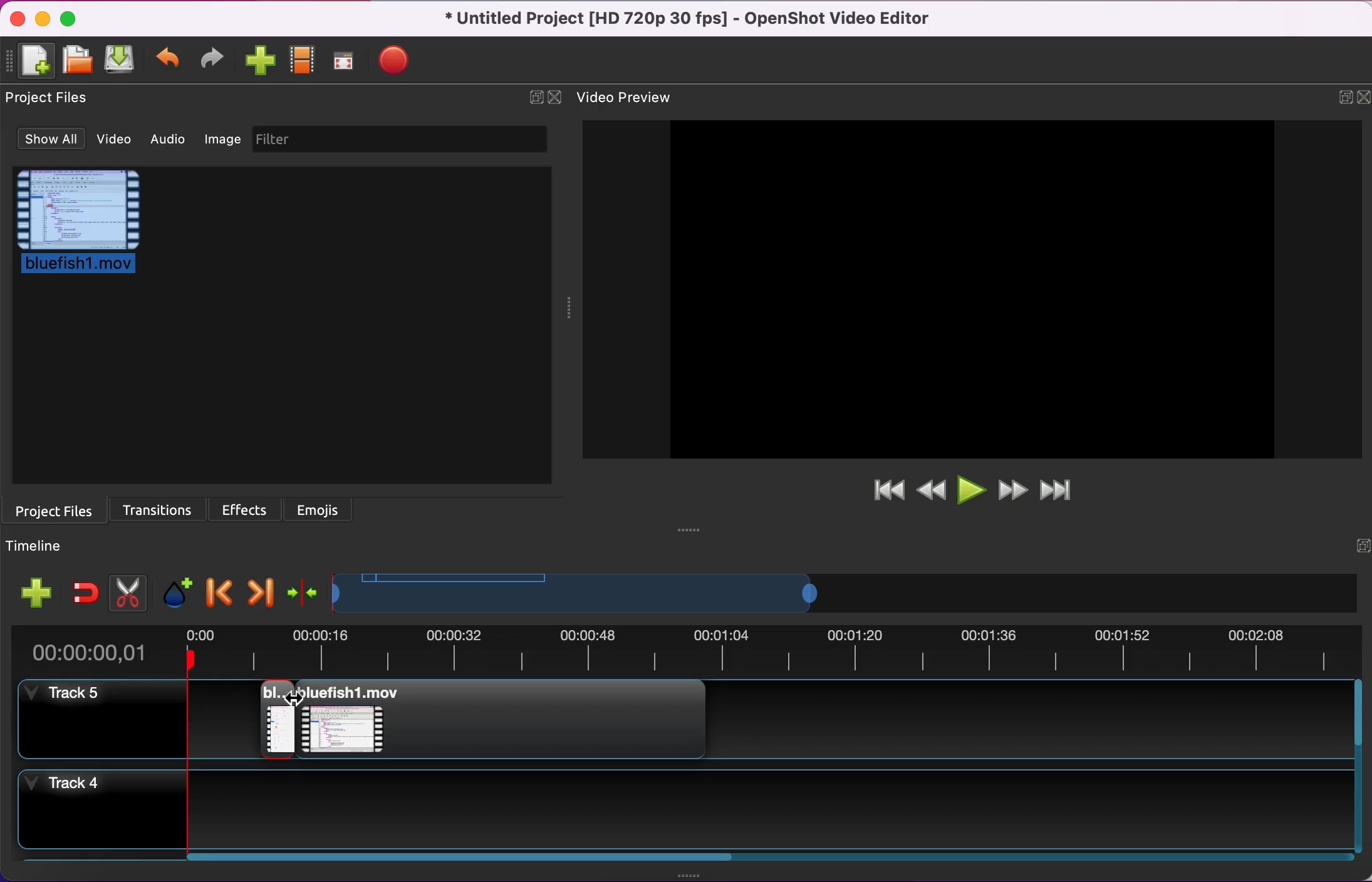 The width and height of the screenshot is (1372, 882). Describe the element at coordinates (404, 142) in the screenshot. I see `filter` at that location.